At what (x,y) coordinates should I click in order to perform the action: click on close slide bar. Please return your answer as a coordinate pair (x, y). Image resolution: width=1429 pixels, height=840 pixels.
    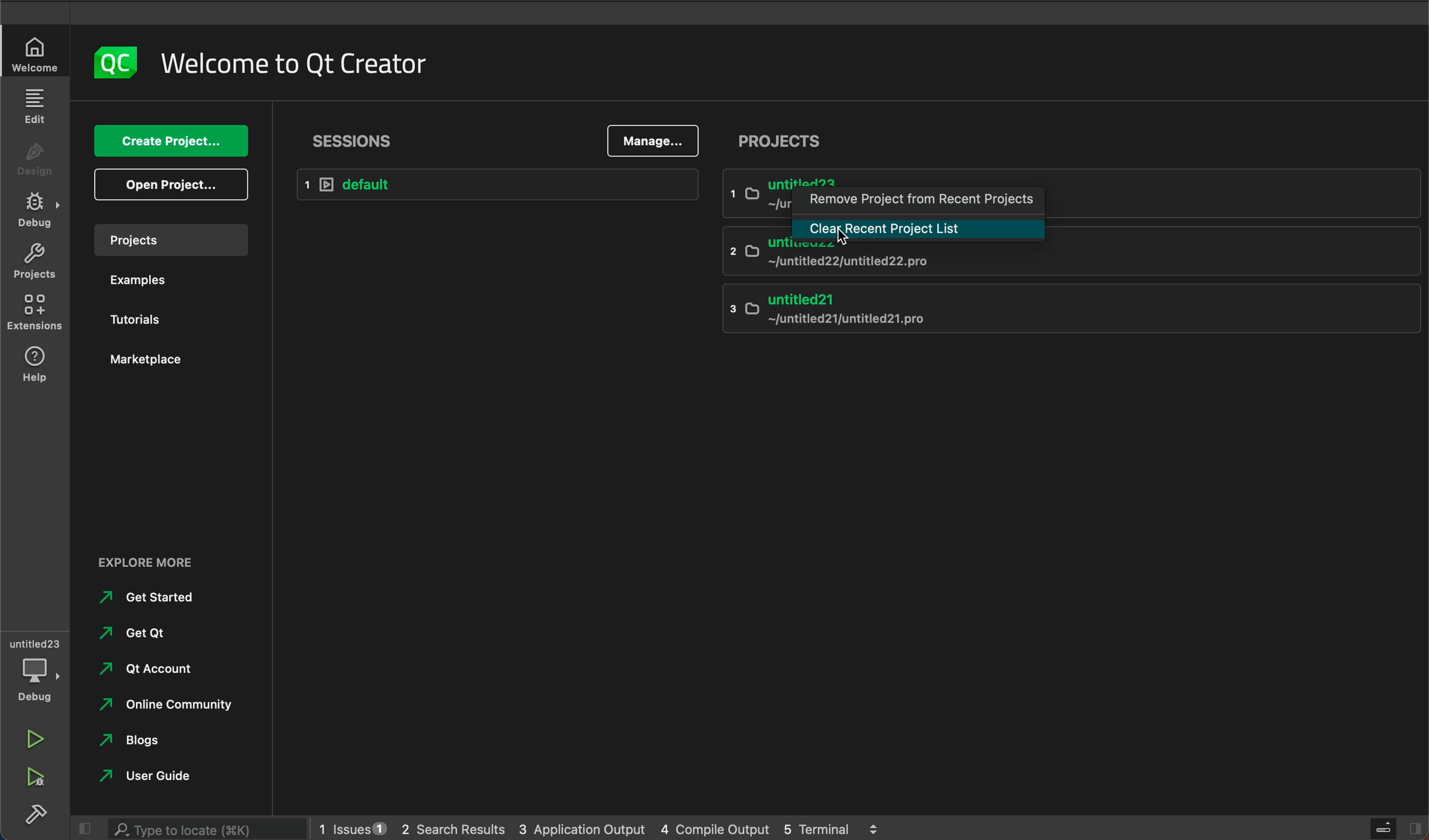
    Looking at the image, I should click on (1390, 828).